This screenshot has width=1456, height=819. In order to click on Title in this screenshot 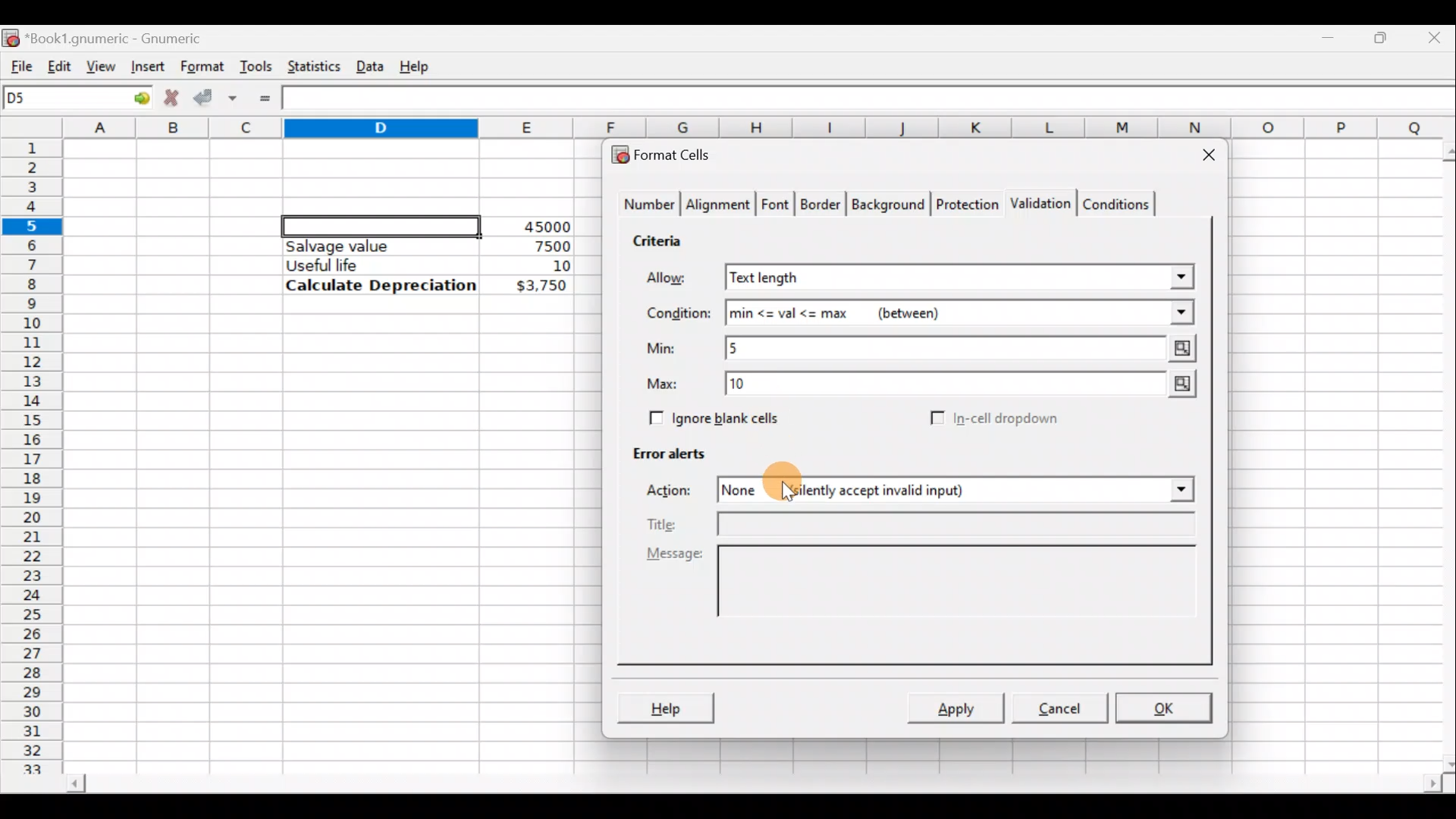, I will do `click(930, 526)`.